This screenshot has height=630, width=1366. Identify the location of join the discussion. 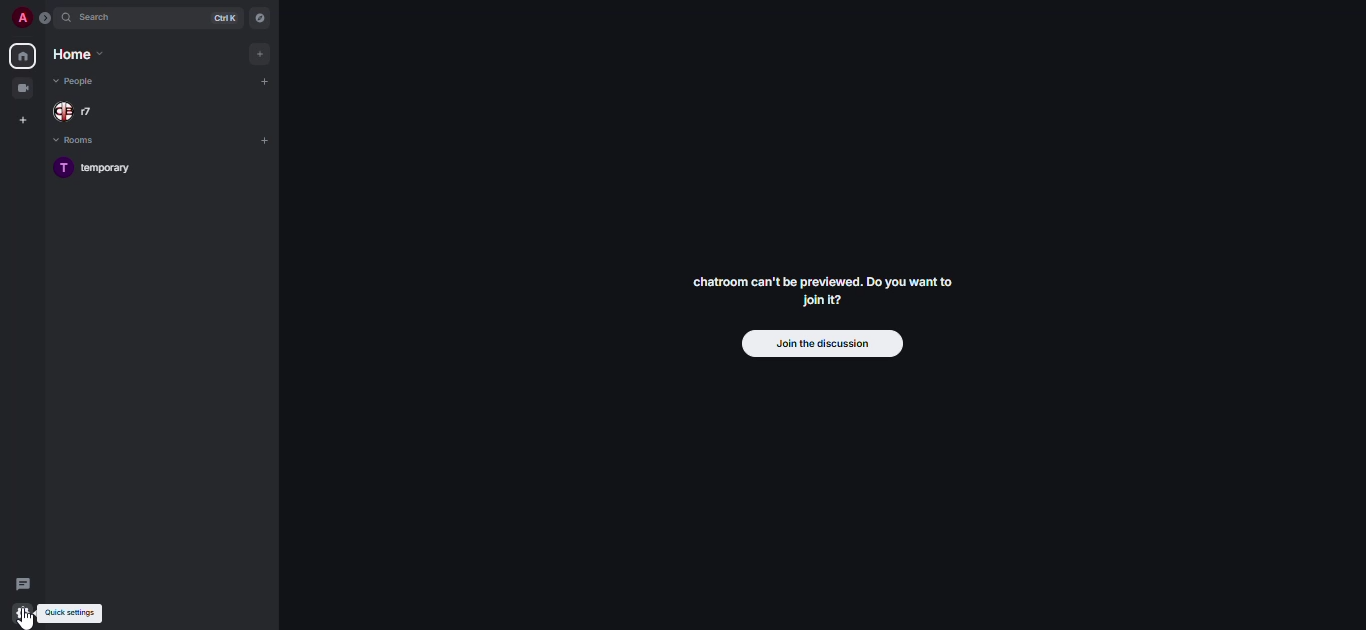
(820, 343).